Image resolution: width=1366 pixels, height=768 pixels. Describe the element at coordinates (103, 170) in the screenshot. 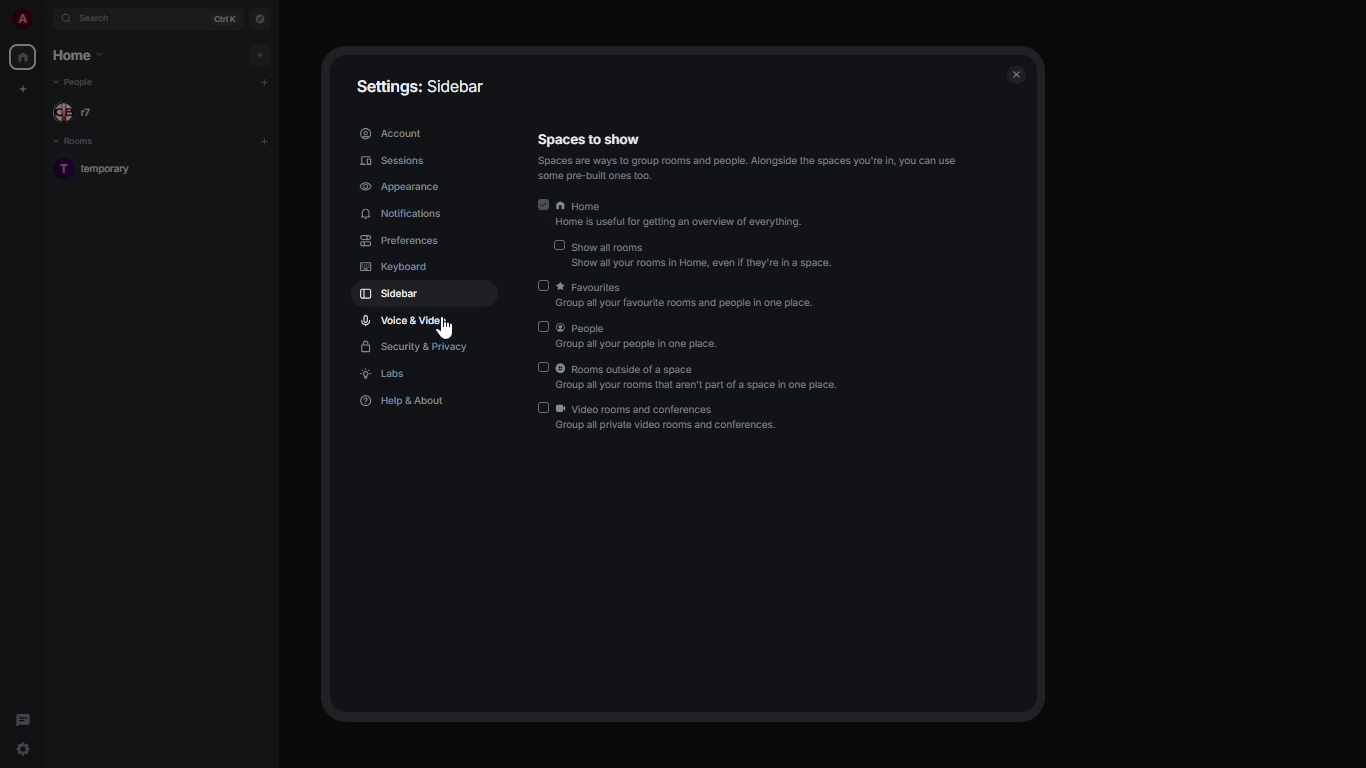

I see `room` at that location.